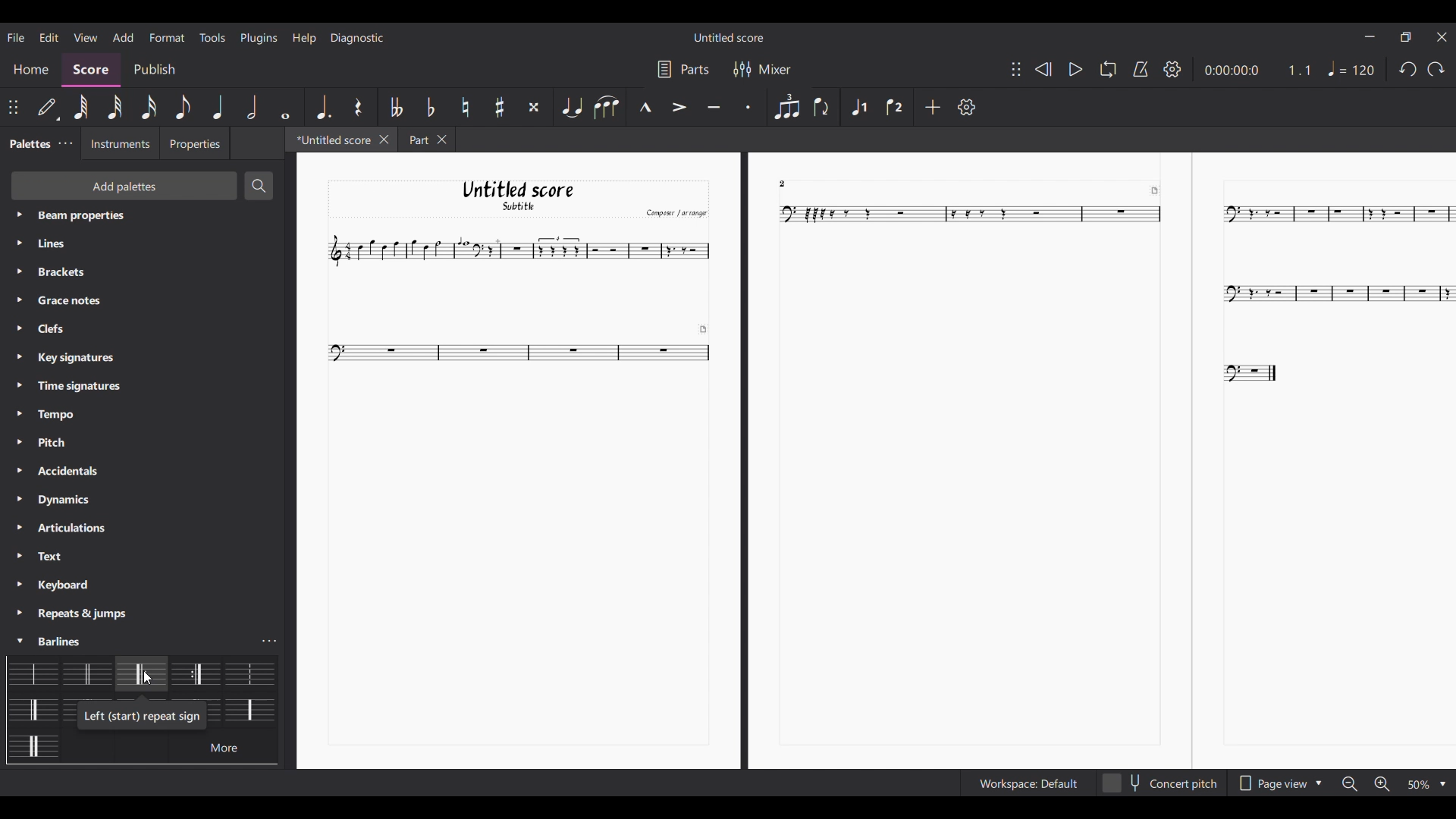 This screenshot has height=819, width=1456. I want to click on Add palette, so click(126, 185).